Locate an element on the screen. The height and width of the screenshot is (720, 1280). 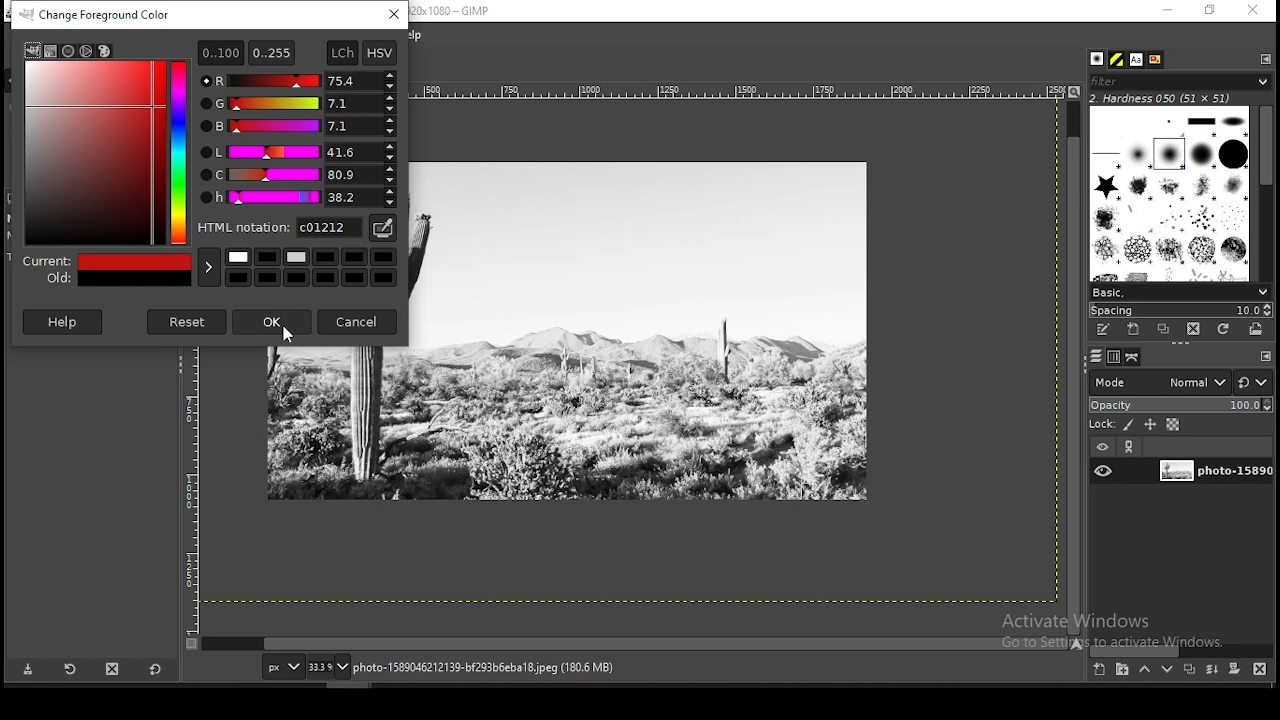
mask layer is located at coordinates (1234, 670).